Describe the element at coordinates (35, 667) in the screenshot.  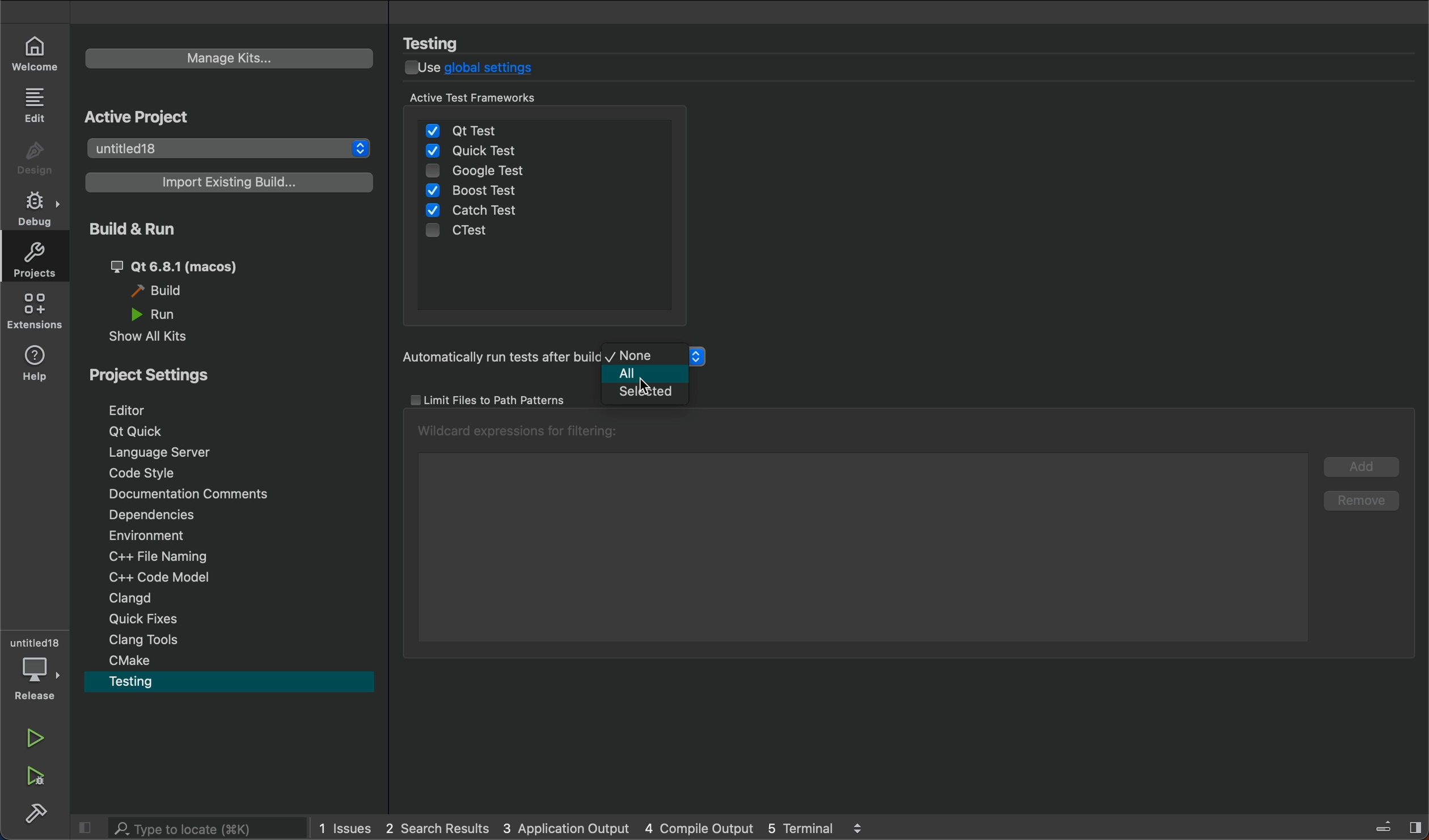
I see `debug` at that location.